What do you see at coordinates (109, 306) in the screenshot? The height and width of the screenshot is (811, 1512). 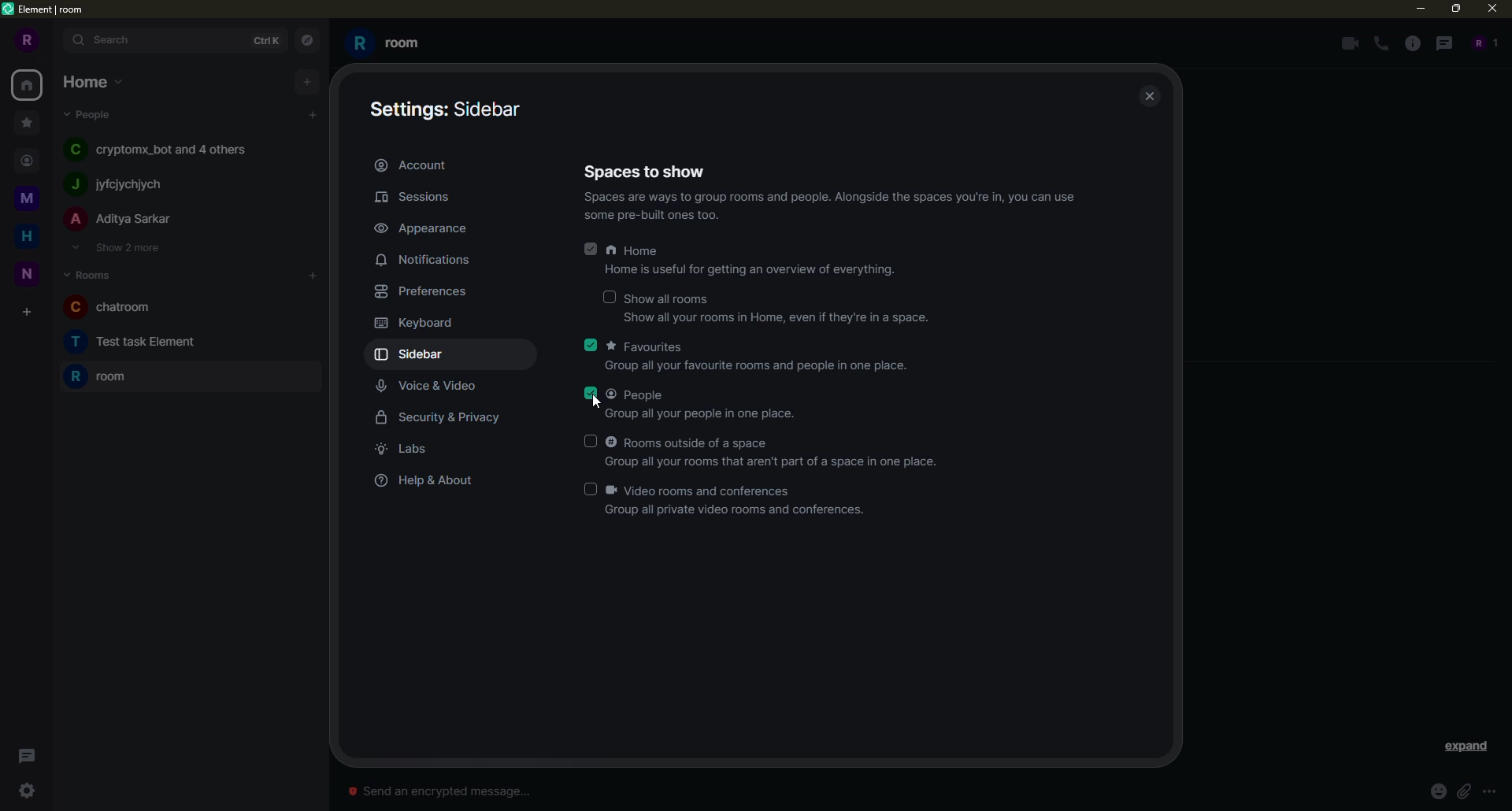 I see `C chatroom` at bounding box center [109, 306].